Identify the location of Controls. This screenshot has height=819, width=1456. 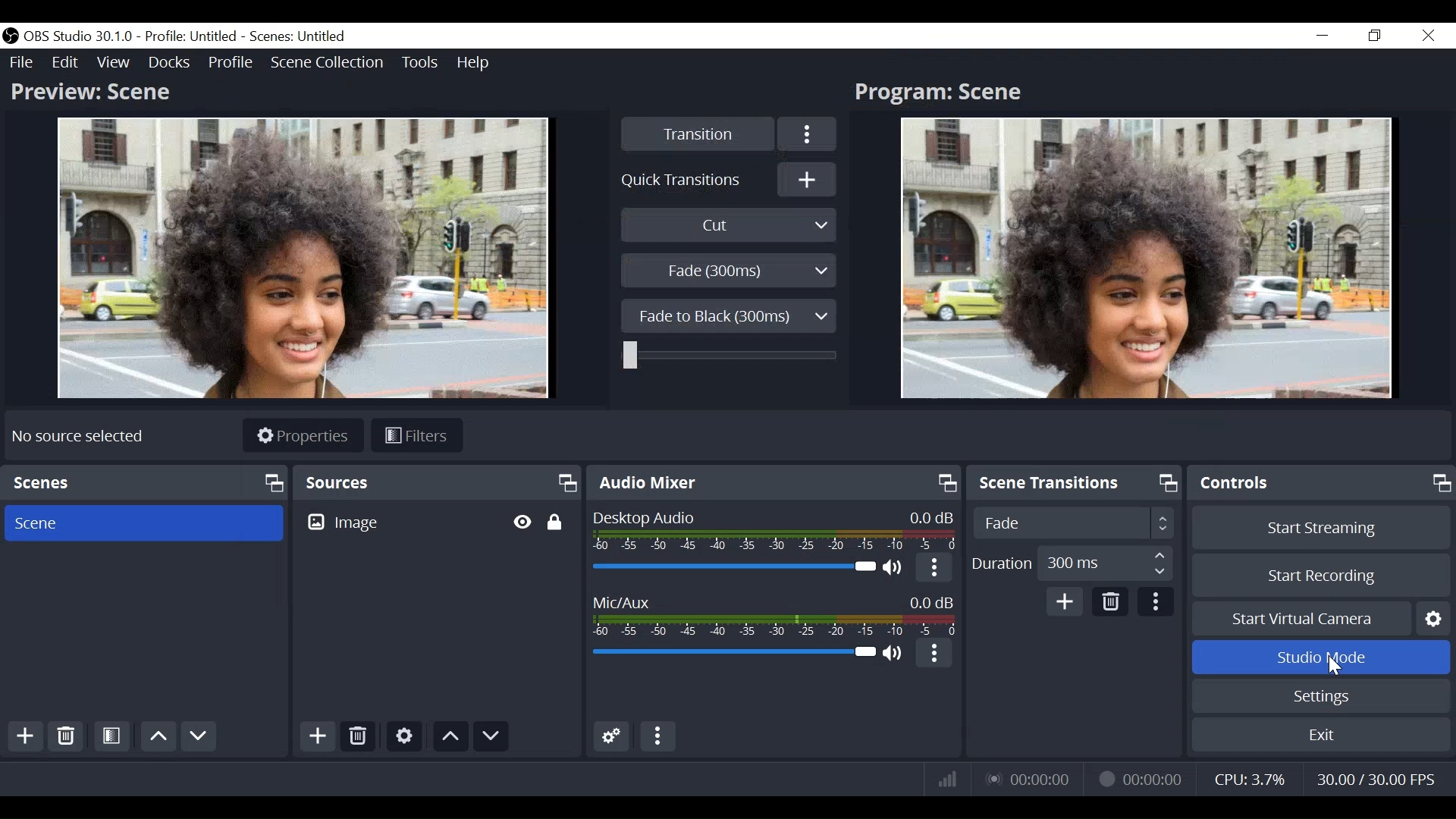
(1321, 484).